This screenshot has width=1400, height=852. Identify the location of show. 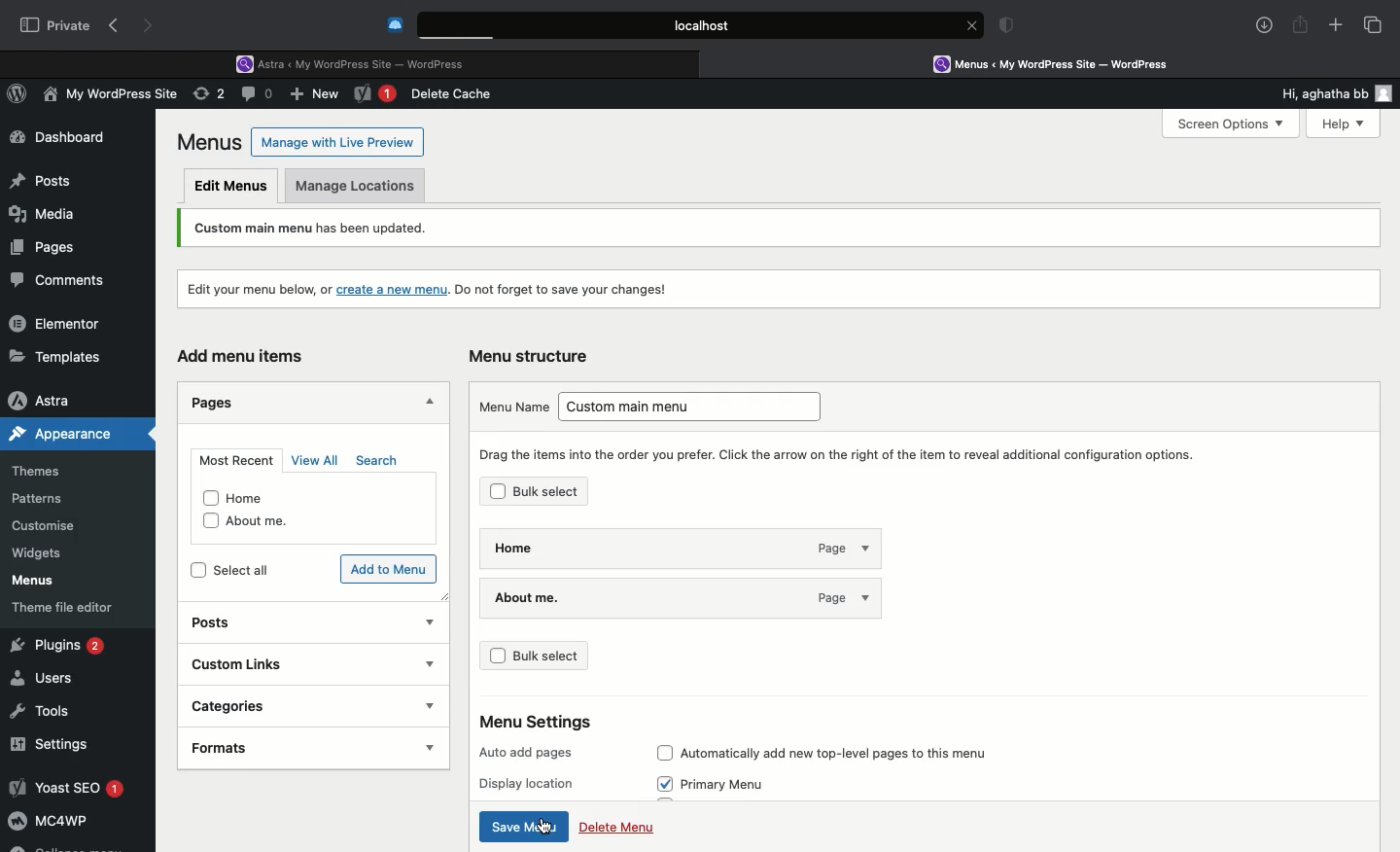
(422, 659).